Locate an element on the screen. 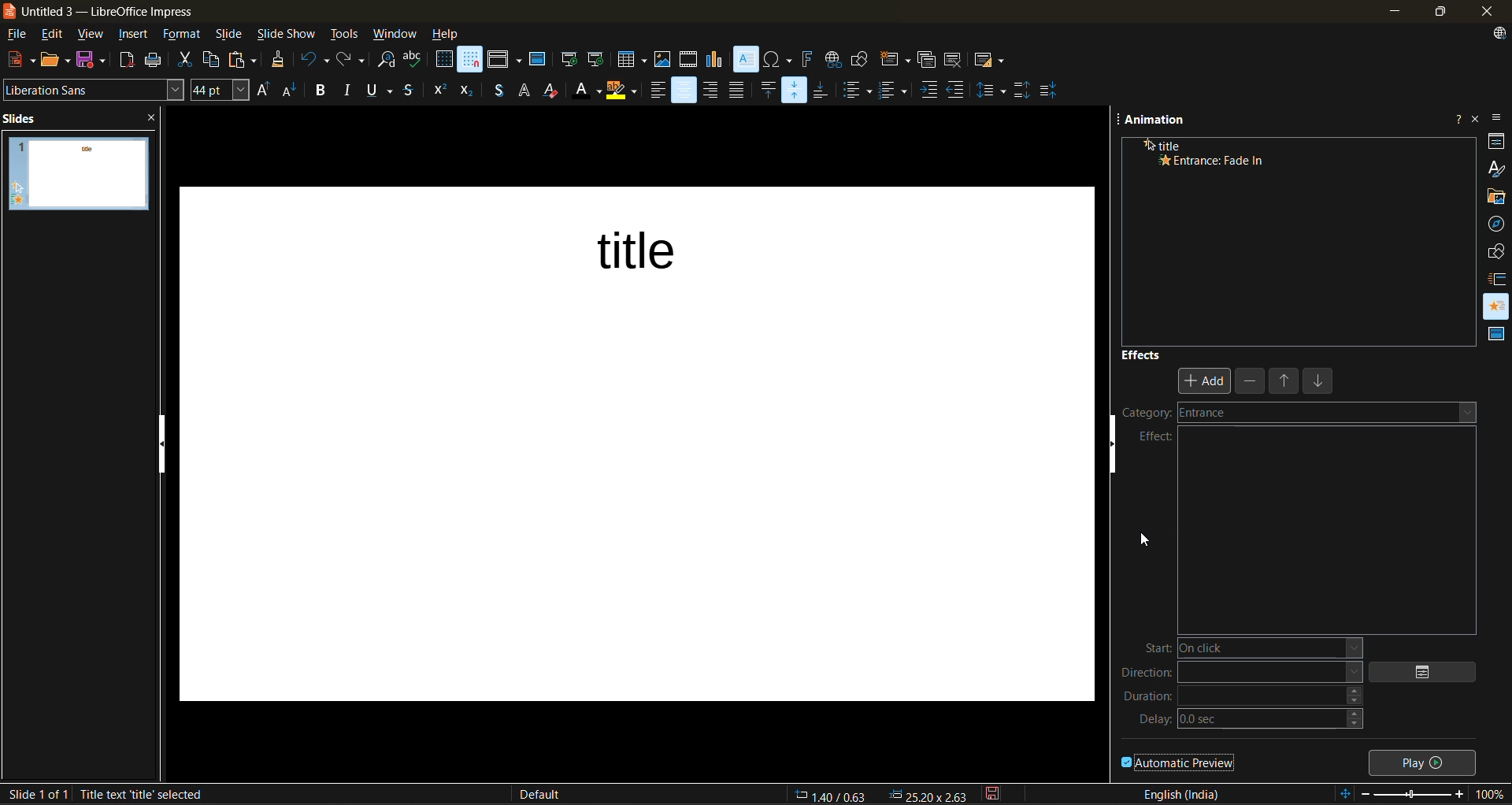 The width and height of the screenshot is (1512, 805). insert chart is located at coordinates (716, 60).